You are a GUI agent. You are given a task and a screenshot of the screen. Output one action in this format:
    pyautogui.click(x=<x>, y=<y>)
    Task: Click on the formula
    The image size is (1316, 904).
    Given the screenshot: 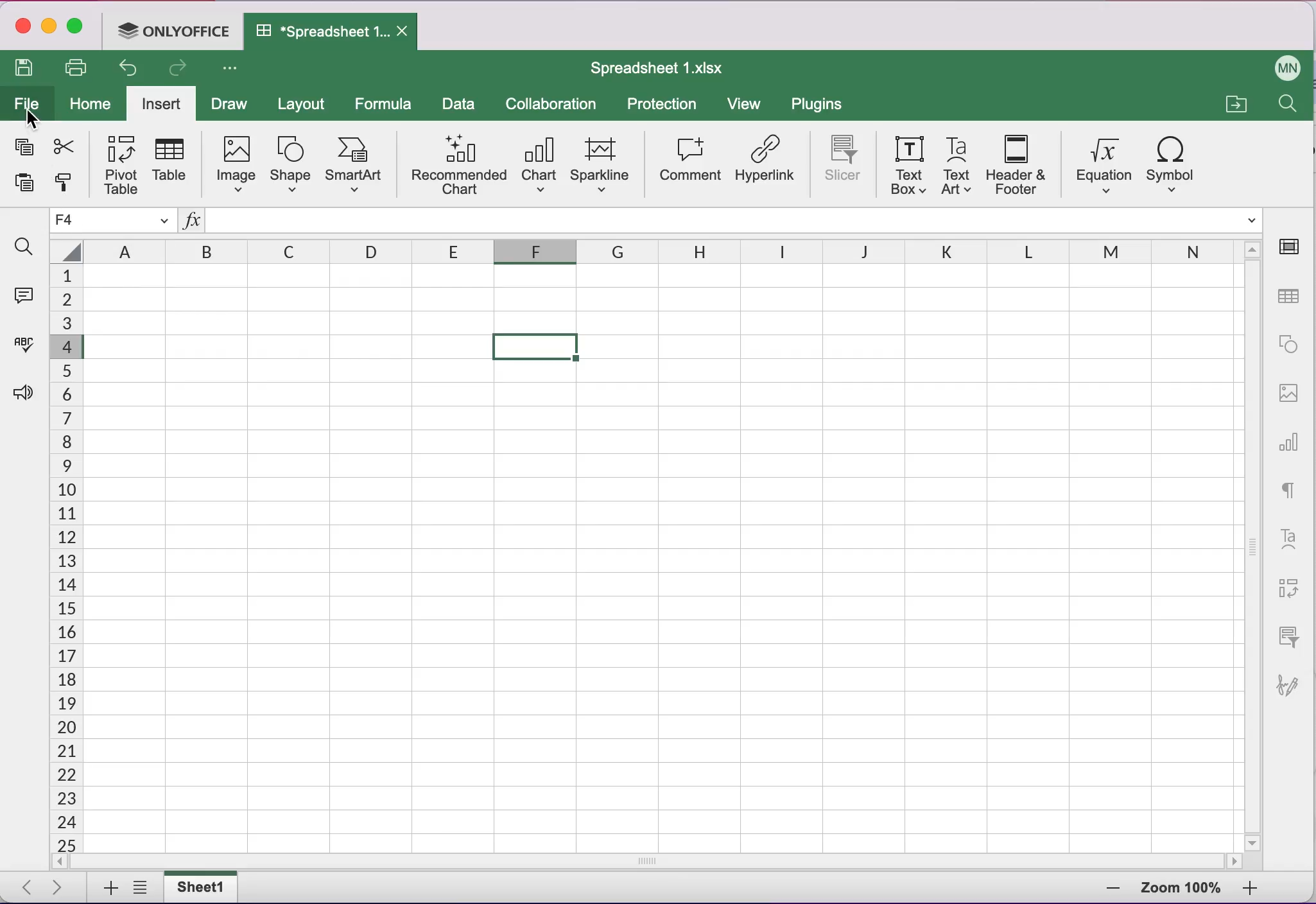 What is the action you would take?
    pyautogui.click(x=386, y=105)
    